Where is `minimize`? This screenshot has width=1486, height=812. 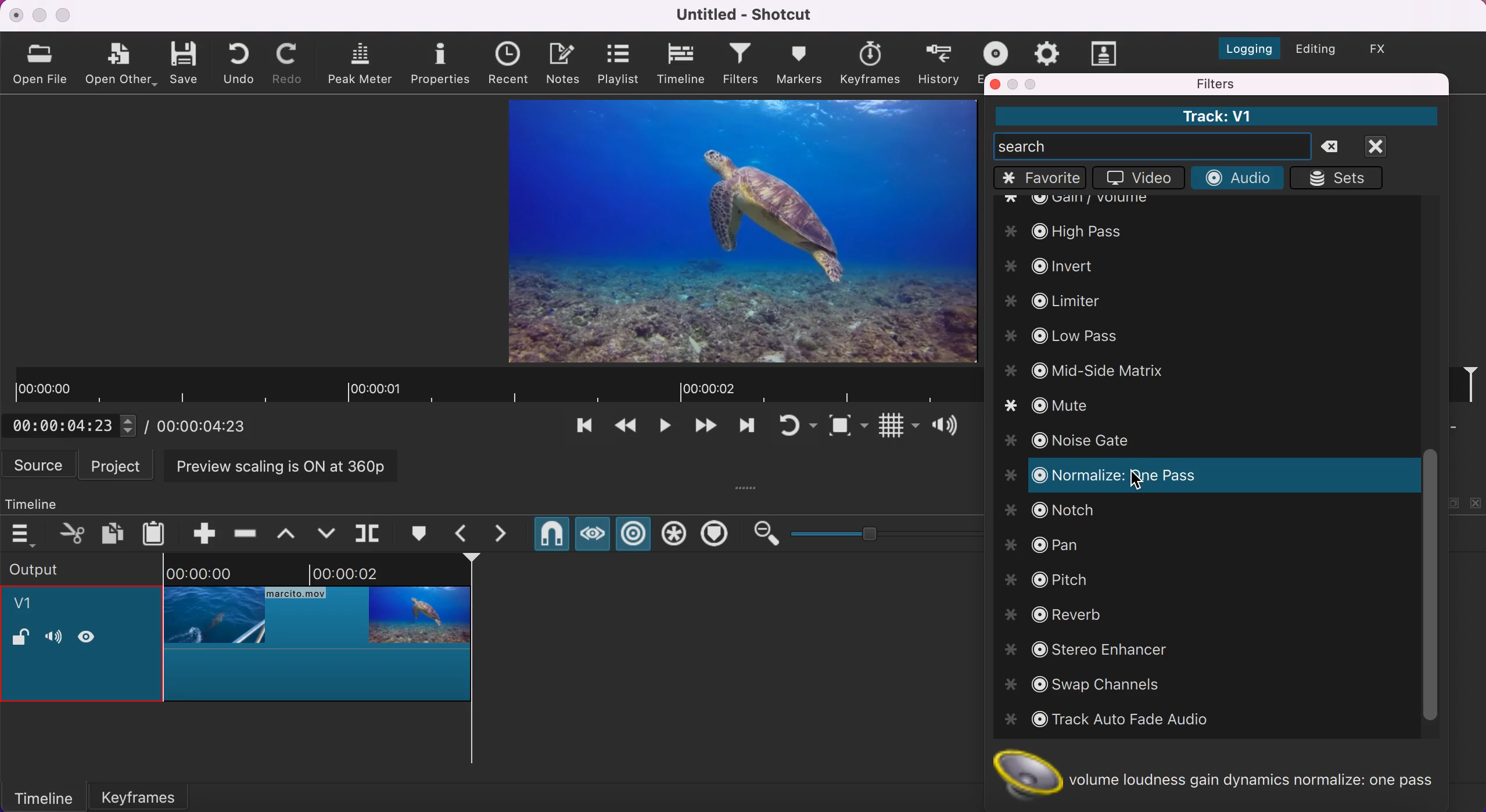 minimize is located at coordinates (1014, 84).